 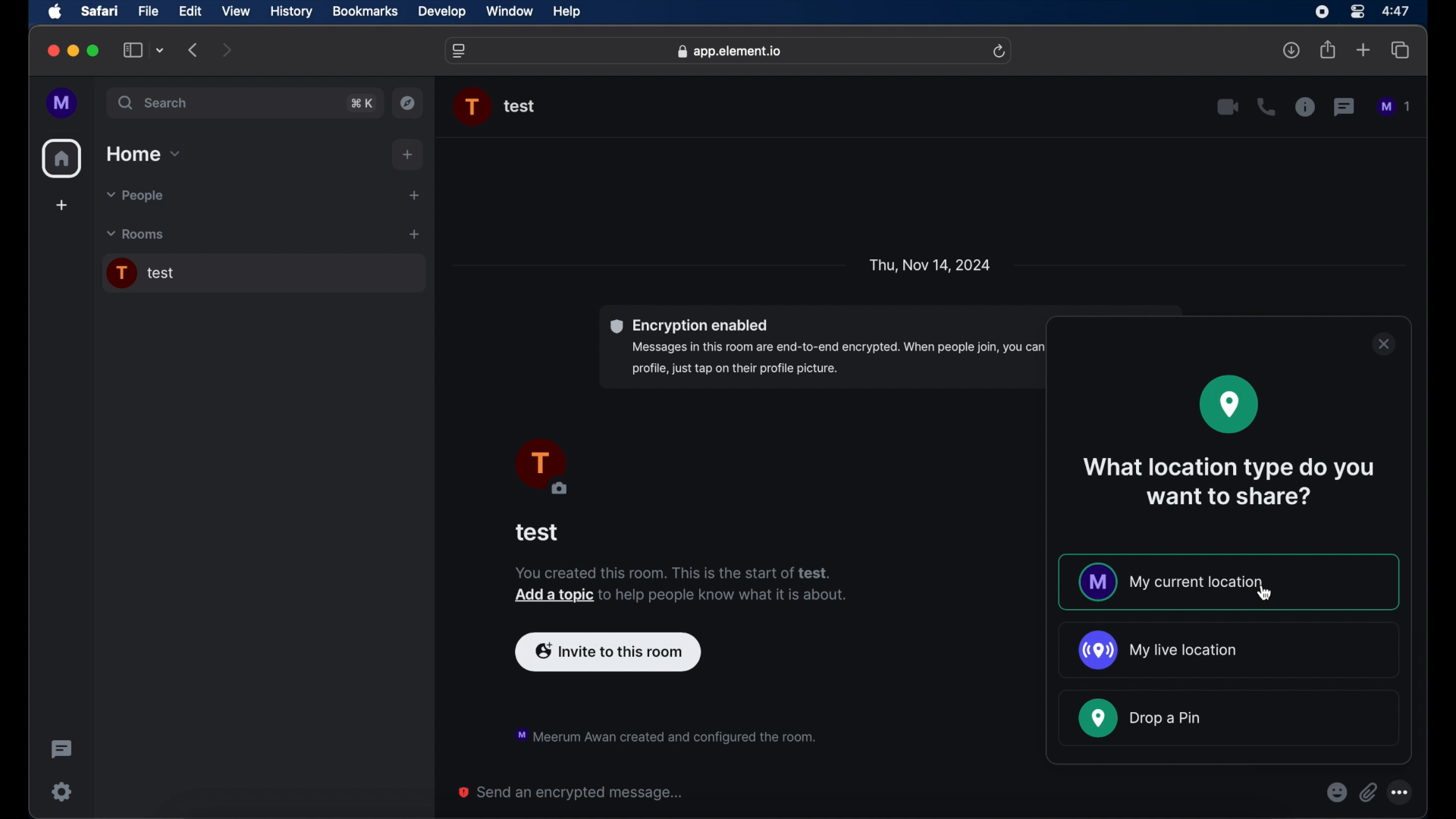 I want to click on explore rooms, so click(x=409, y=102).